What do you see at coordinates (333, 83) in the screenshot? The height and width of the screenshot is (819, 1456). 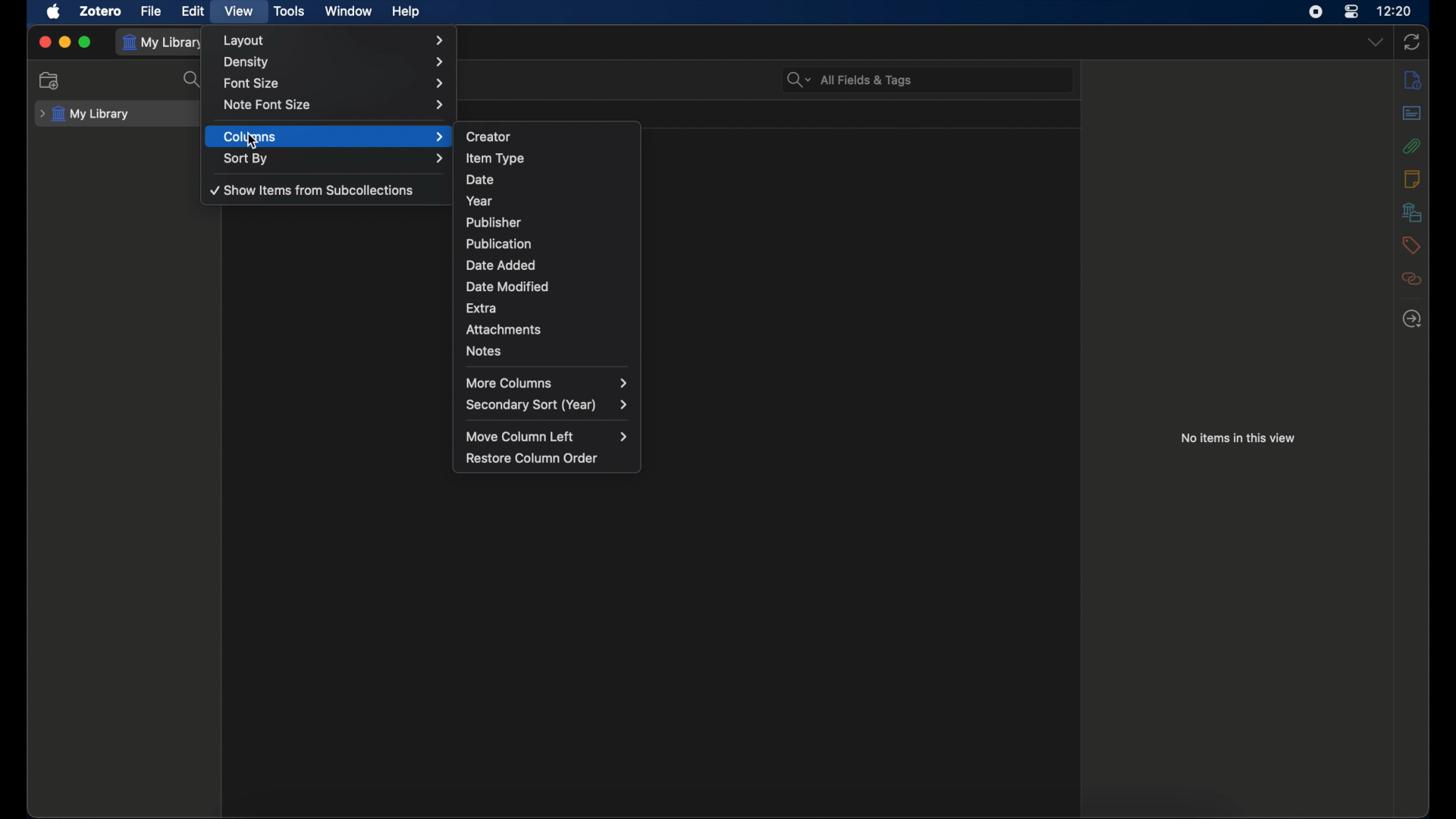 I see `font size` at bounding box center [333, 83].